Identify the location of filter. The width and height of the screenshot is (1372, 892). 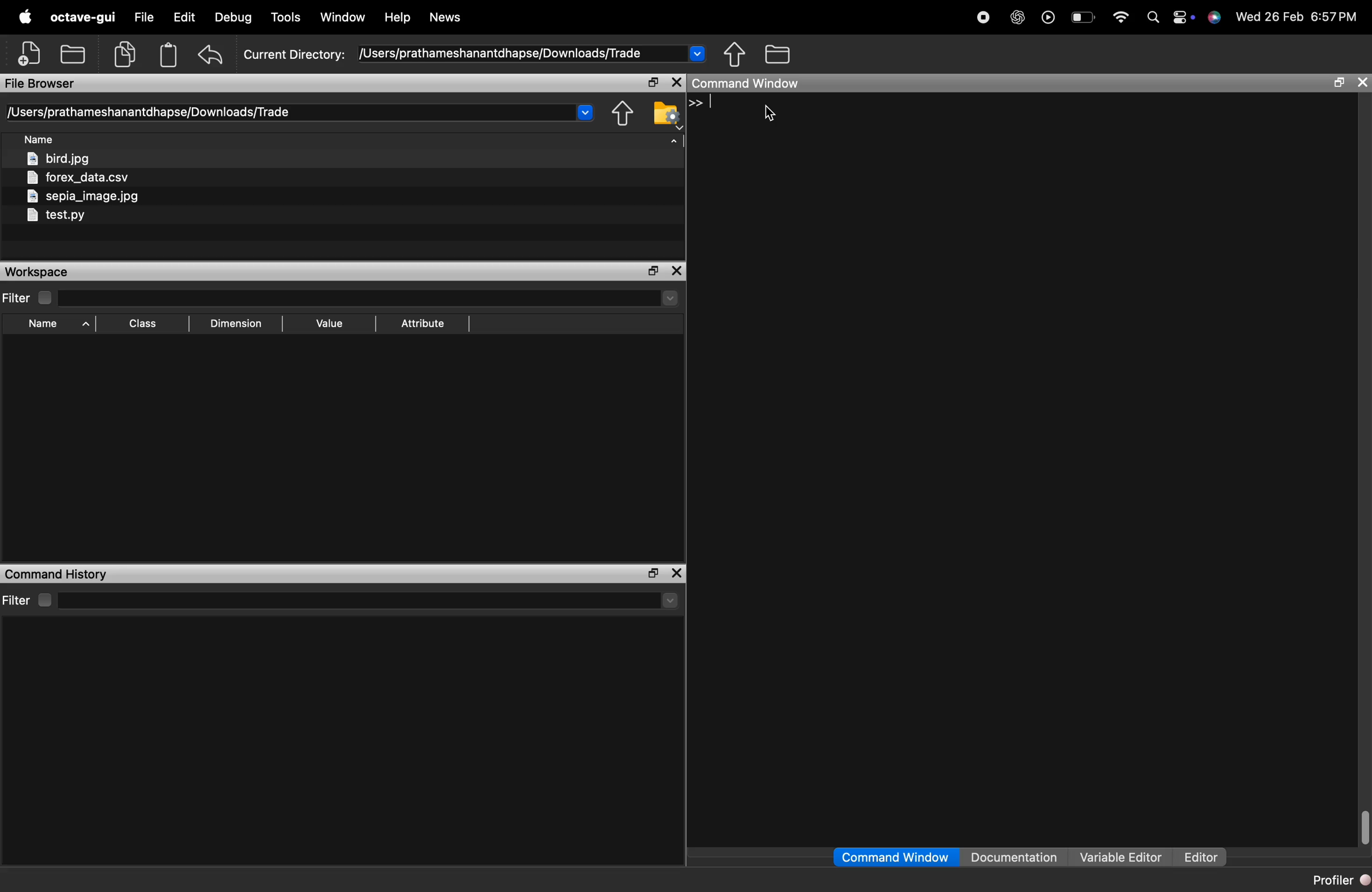
(28, 600).